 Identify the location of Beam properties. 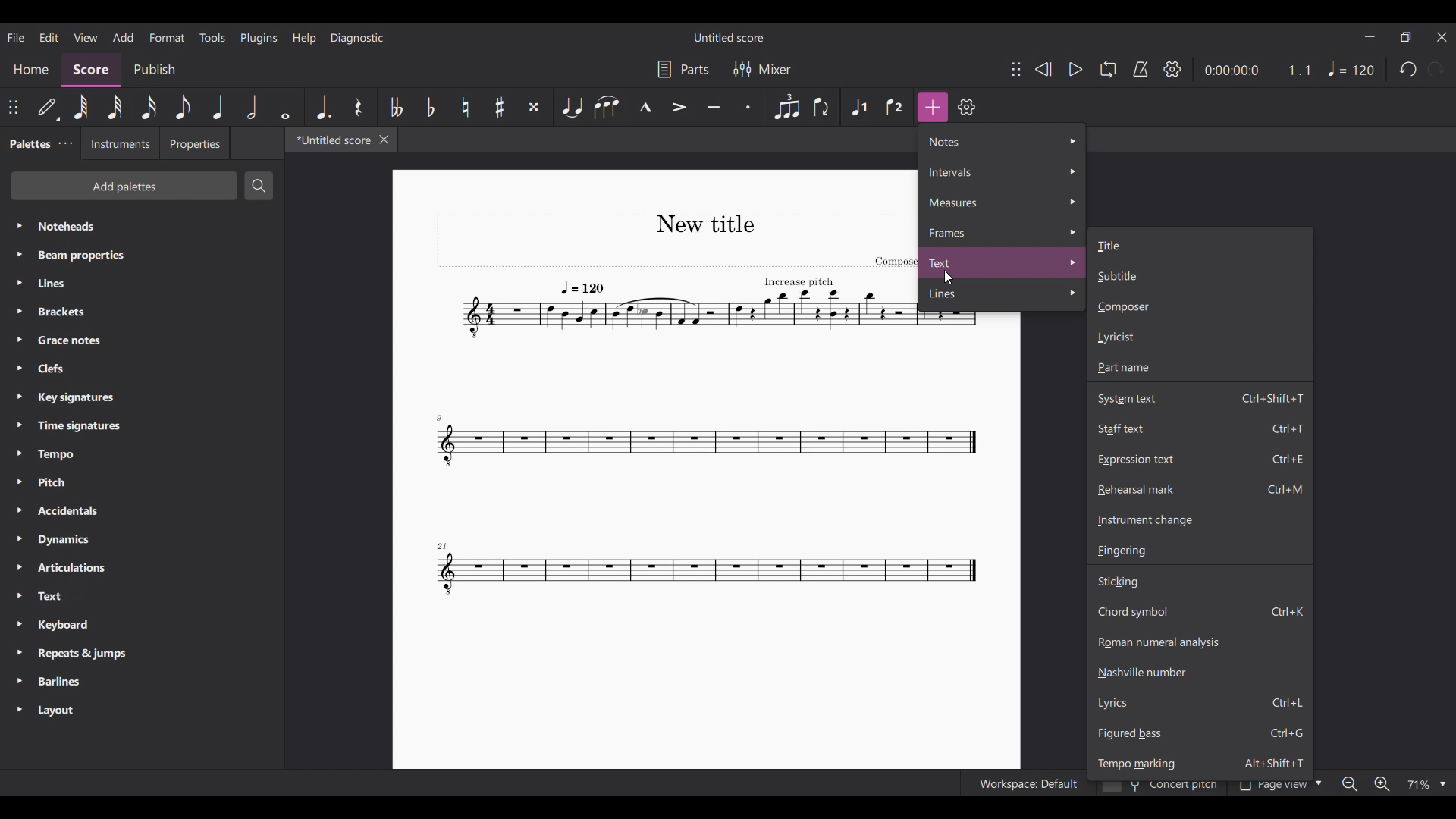
(141, 255).